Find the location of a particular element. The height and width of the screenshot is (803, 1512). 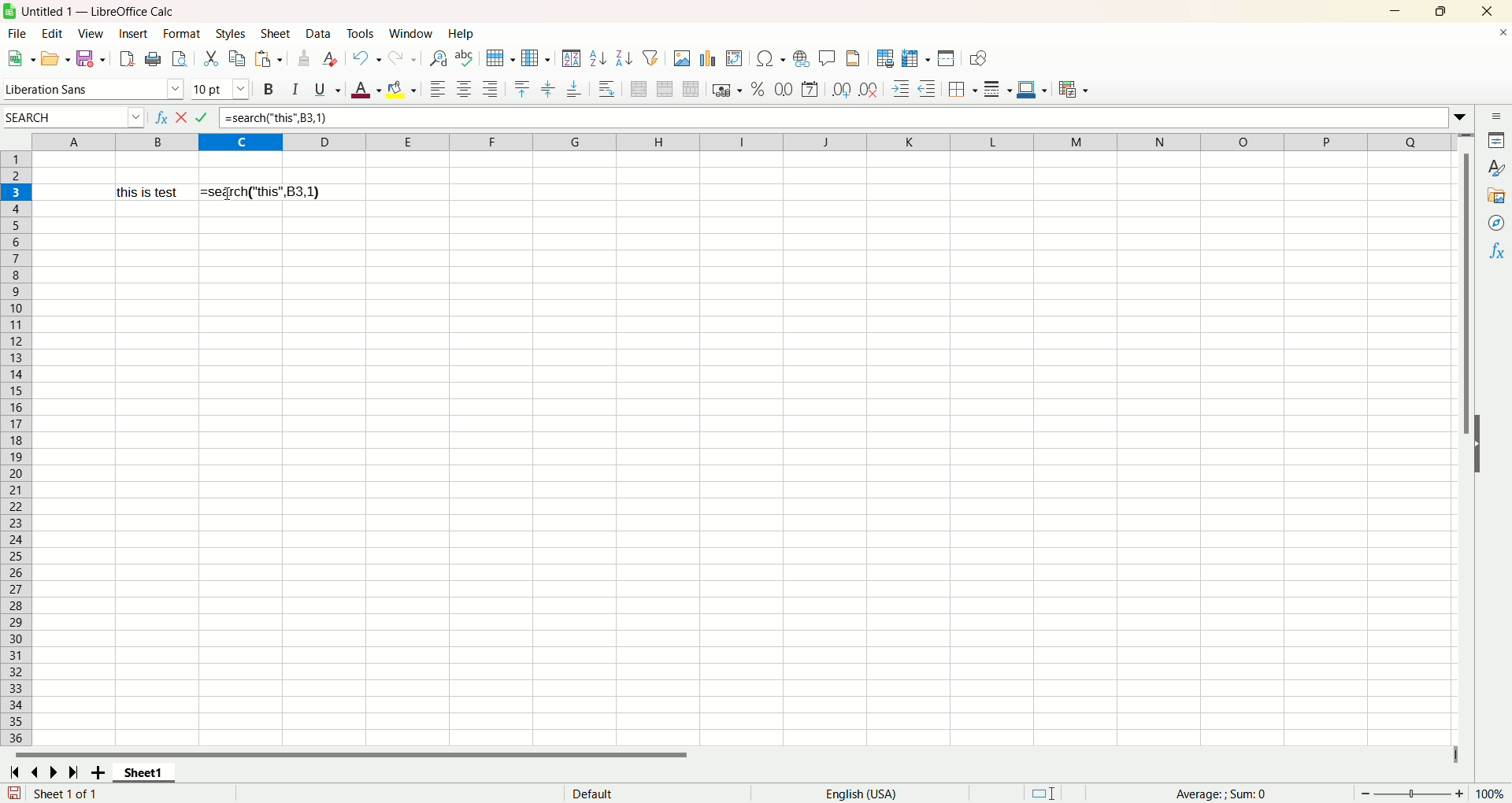

icon is located at coordinates (9, 11).